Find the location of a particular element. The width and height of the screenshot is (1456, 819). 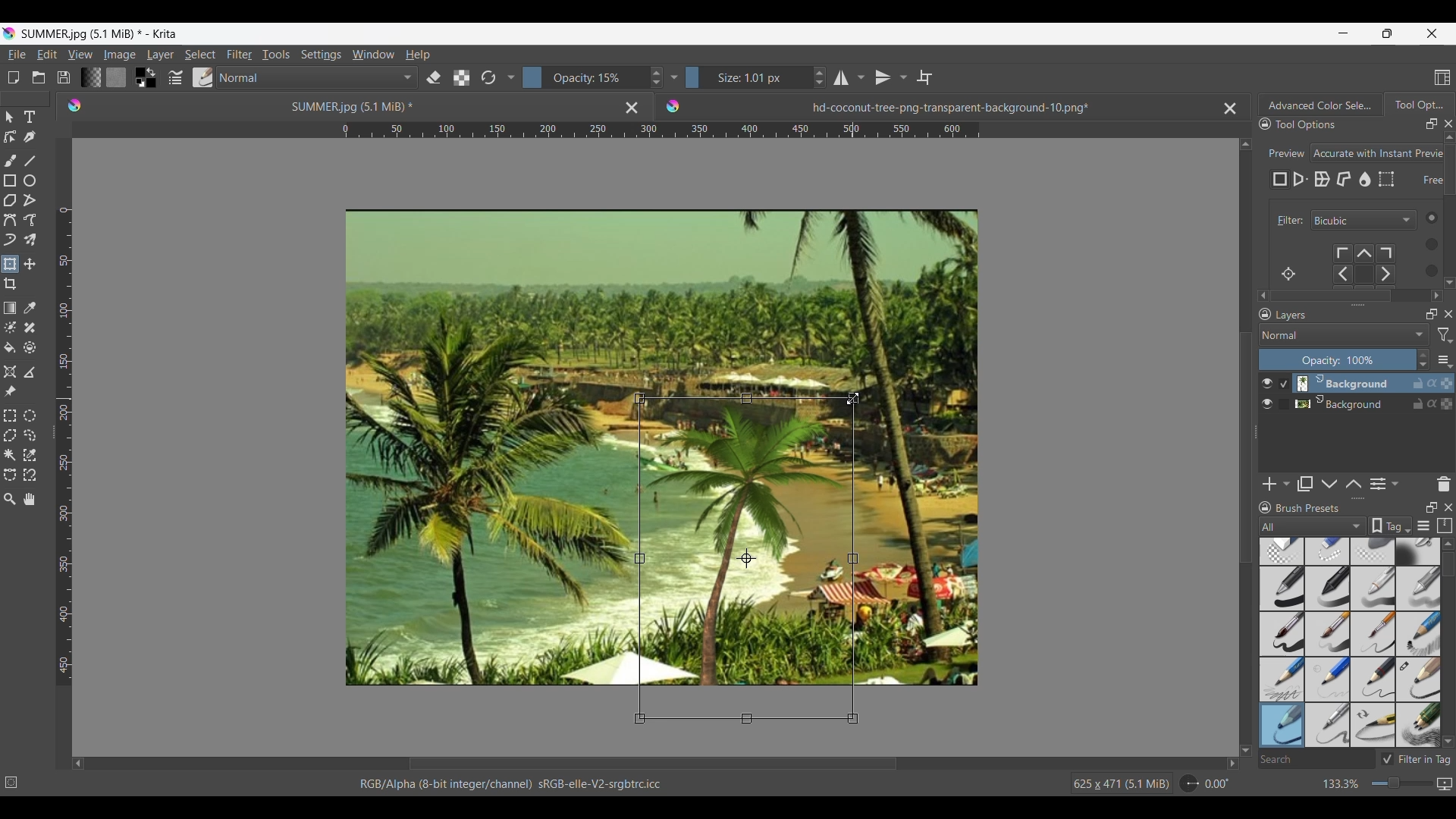

Fill patterns is located at coordinates (116, 77).